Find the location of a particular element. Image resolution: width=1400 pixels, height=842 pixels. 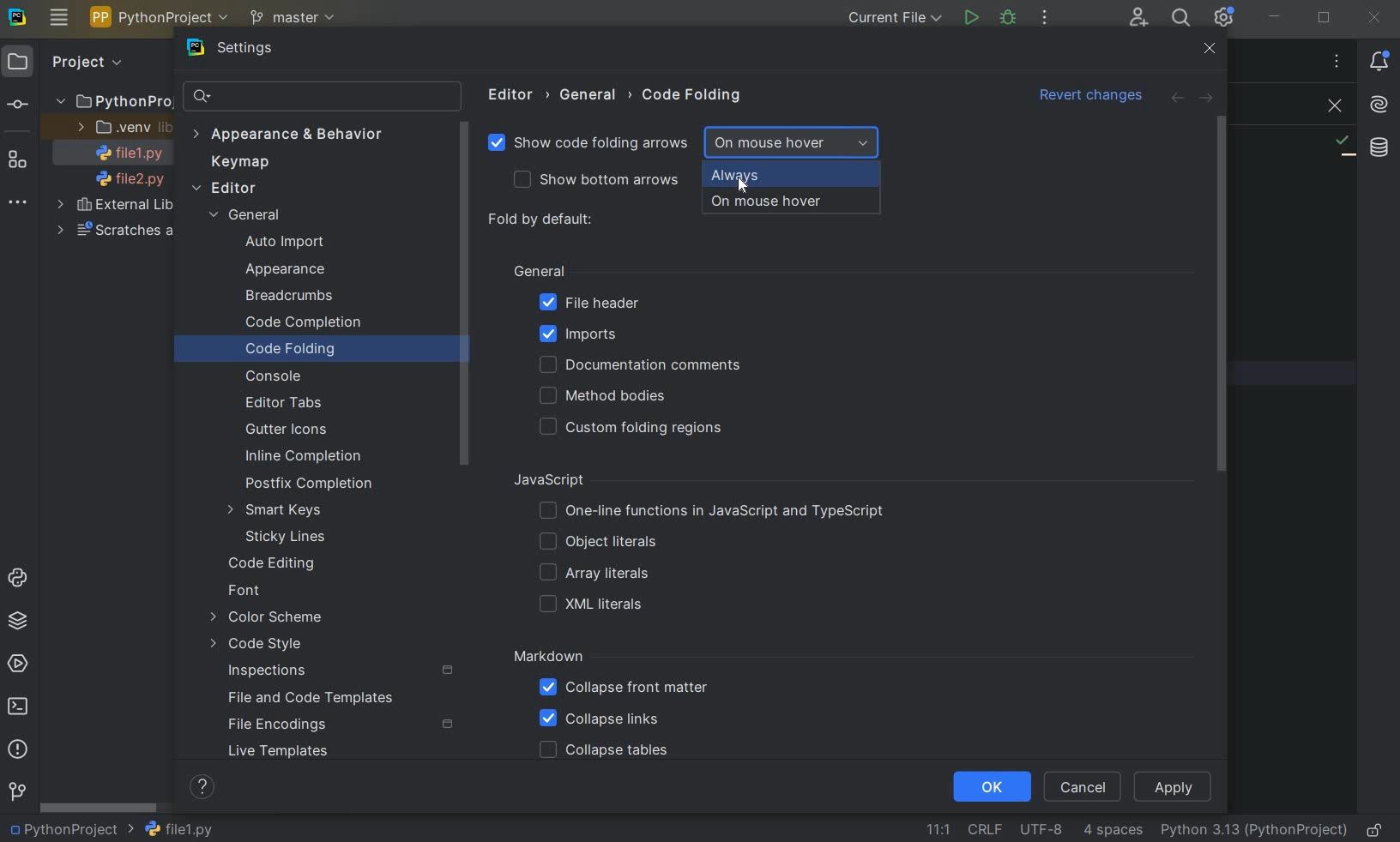

COMMIT is located at coordinates (17, 105).